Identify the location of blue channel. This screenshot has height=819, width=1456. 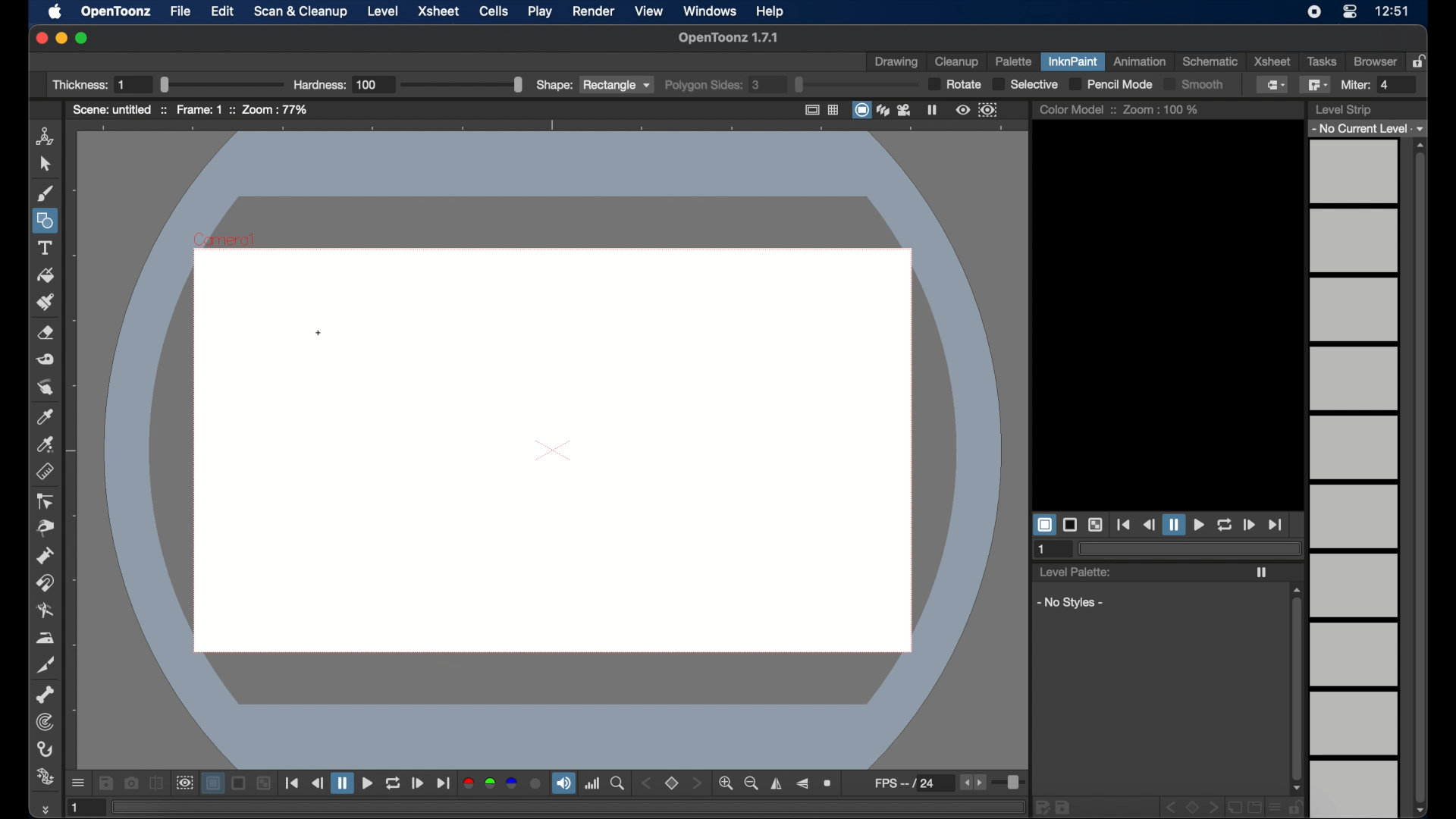
(511, 783).